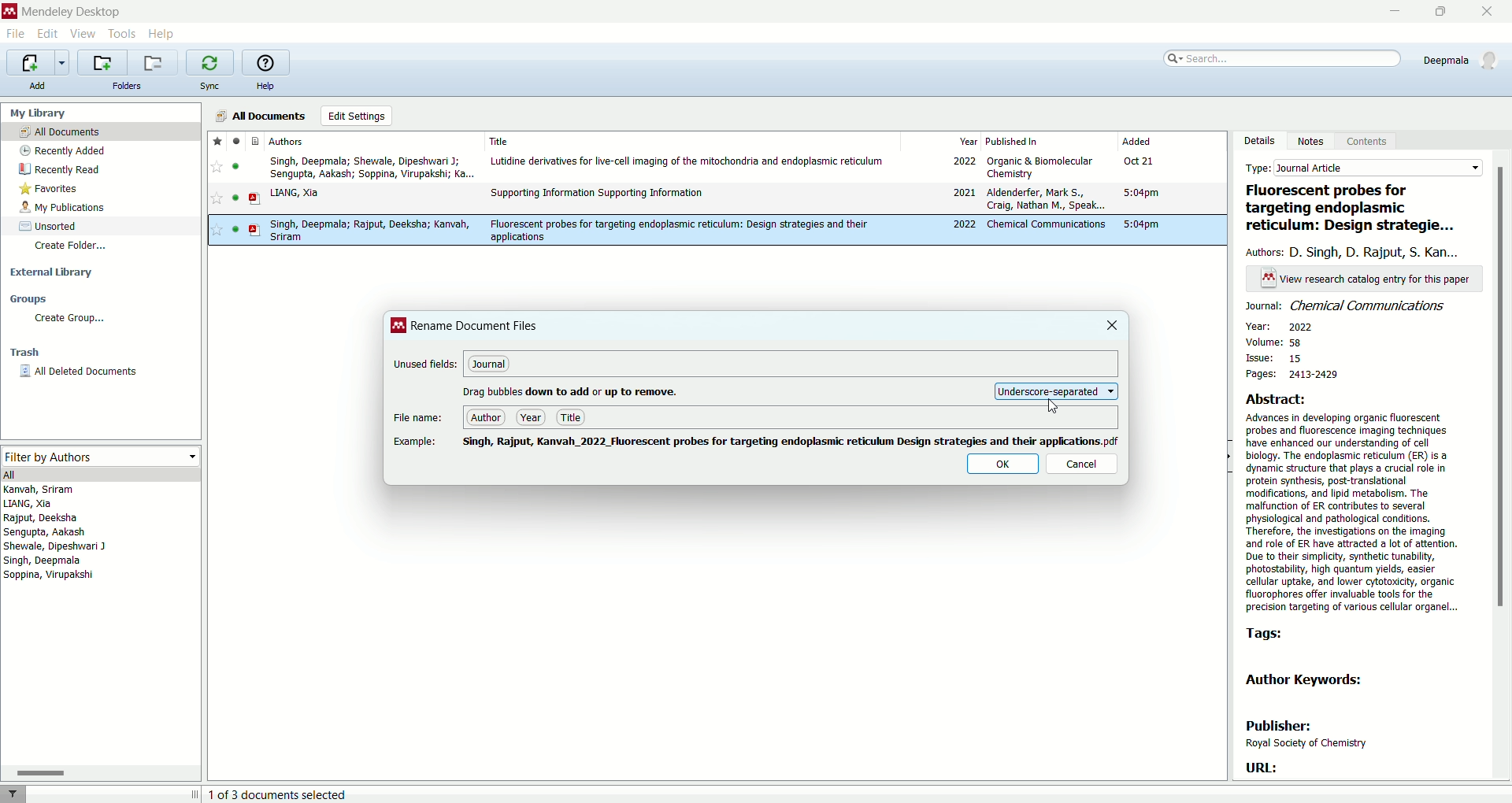 The width and height of the screenshot is (1512, 803). Describe the element at coordinates (1362, 503) in the screenshot. I see `abstract` at that location.